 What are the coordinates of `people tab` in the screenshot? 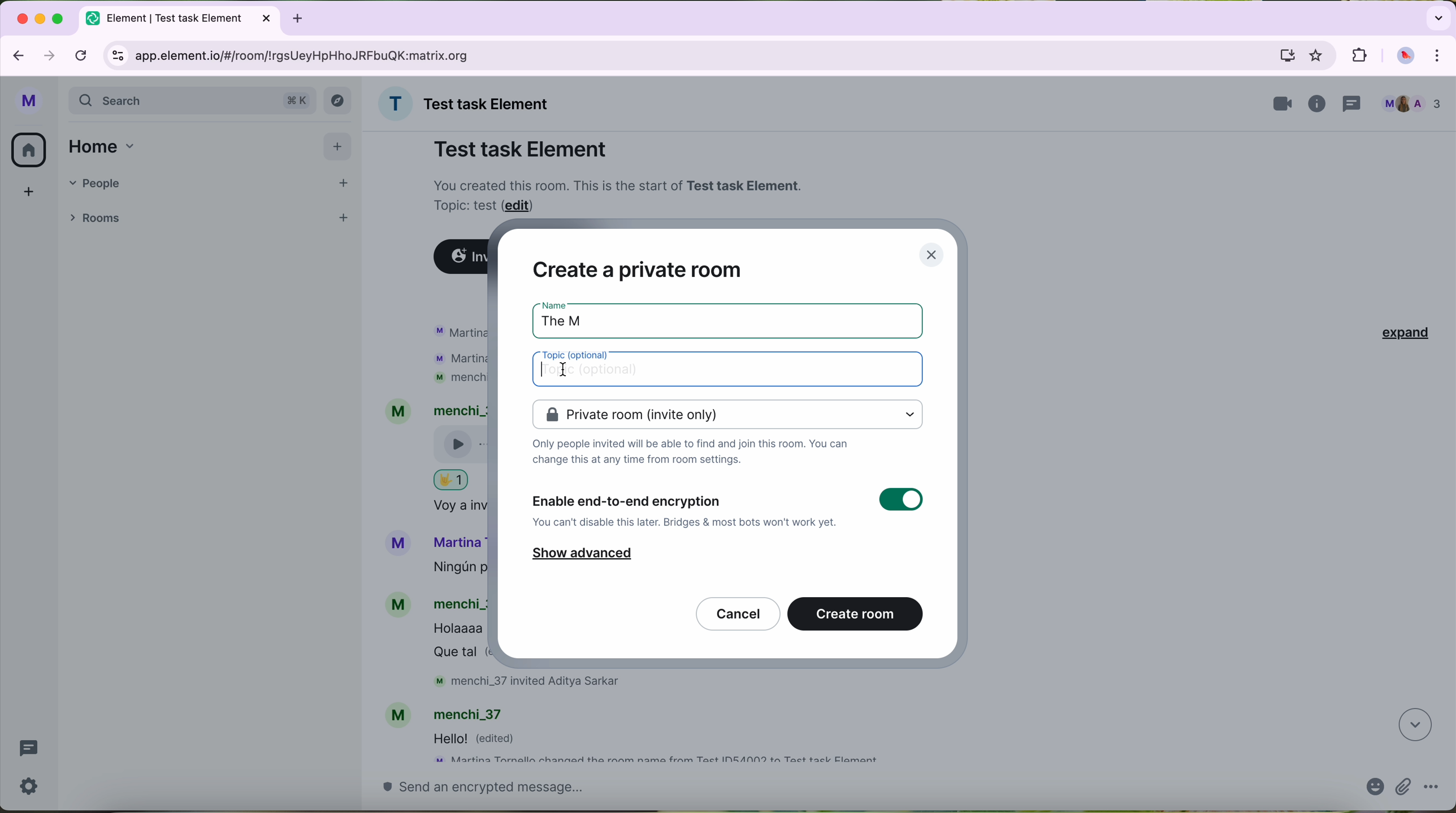 It's located at (211, 182).